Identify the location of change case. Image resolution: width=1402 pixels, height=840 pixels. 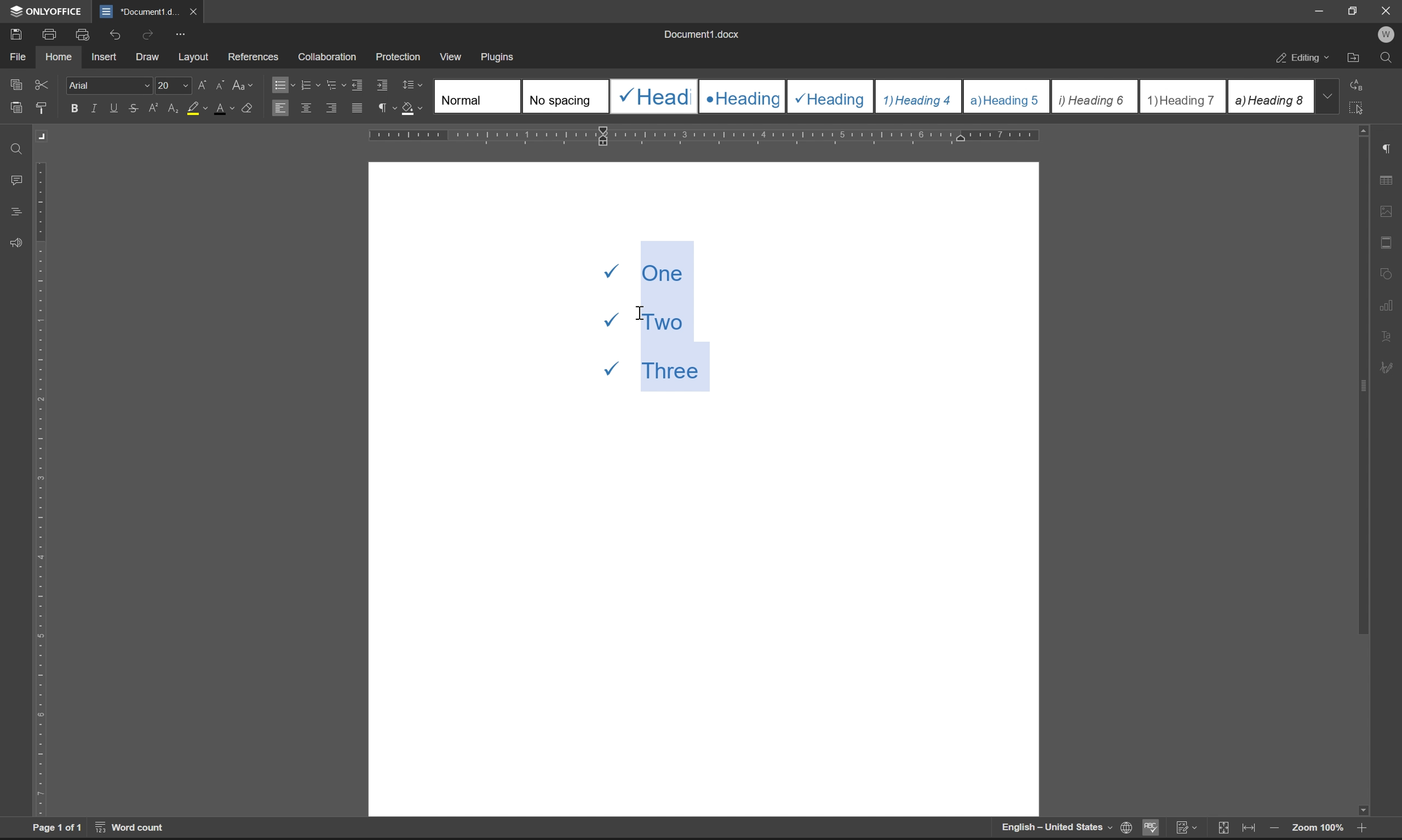
(244, 84).